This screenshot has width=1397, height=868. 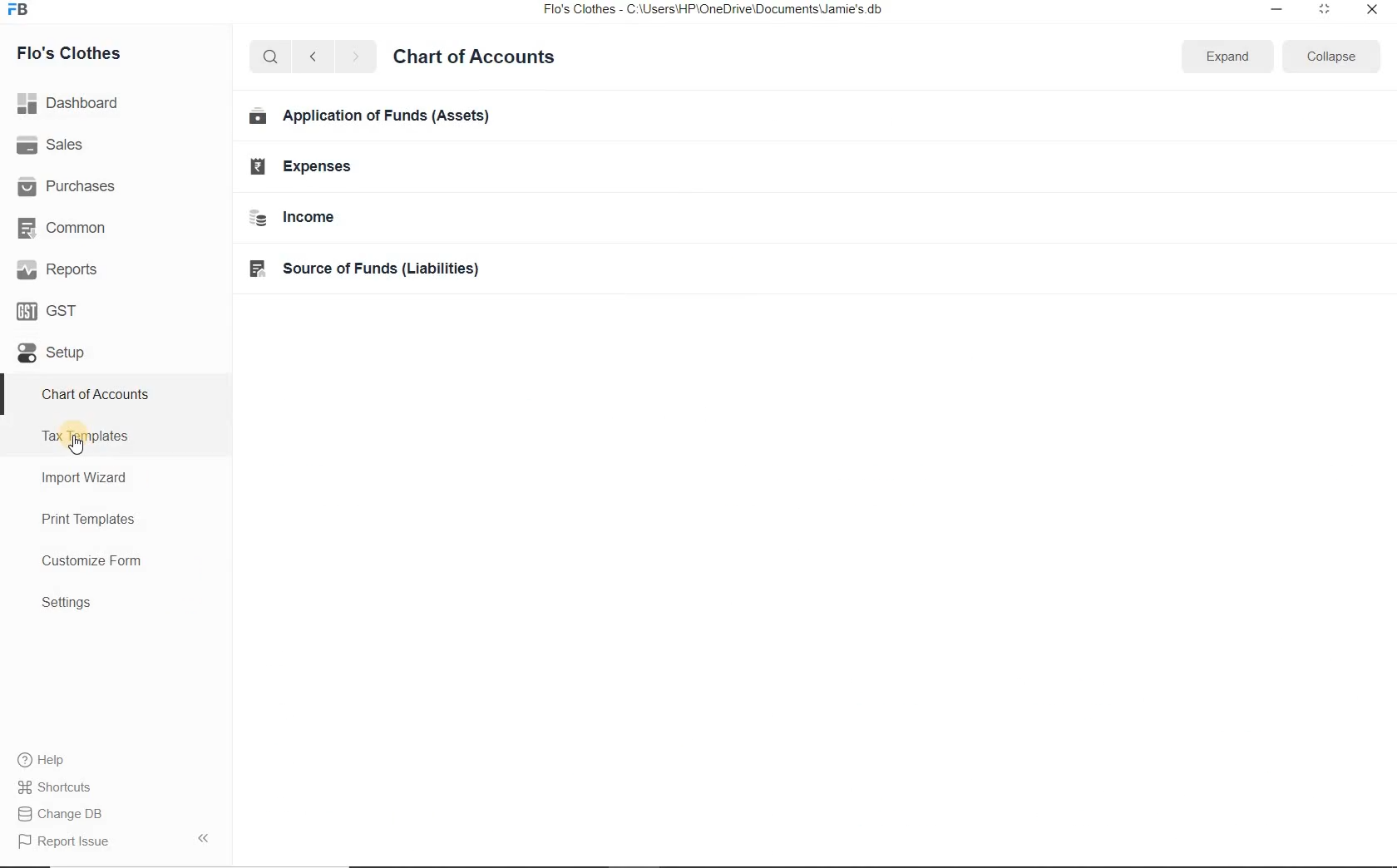 I want to click on Application of Funds (Assets), so click(x=396, y=116).